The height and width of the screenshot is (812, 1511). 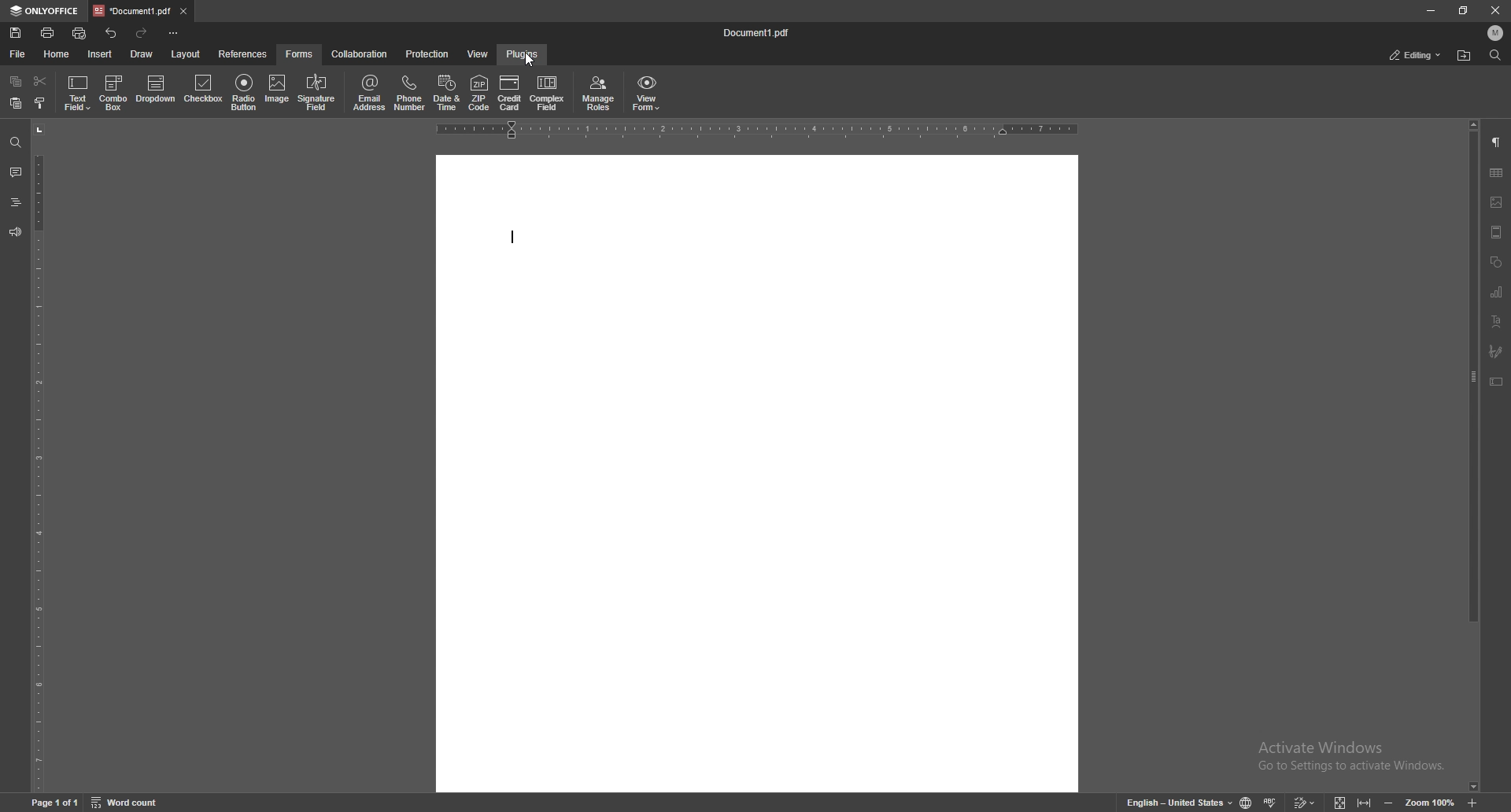 What do you see at coordinates (1306, 803) in the screenshot?
I see `track changes` at bounding box center [1306, 803].